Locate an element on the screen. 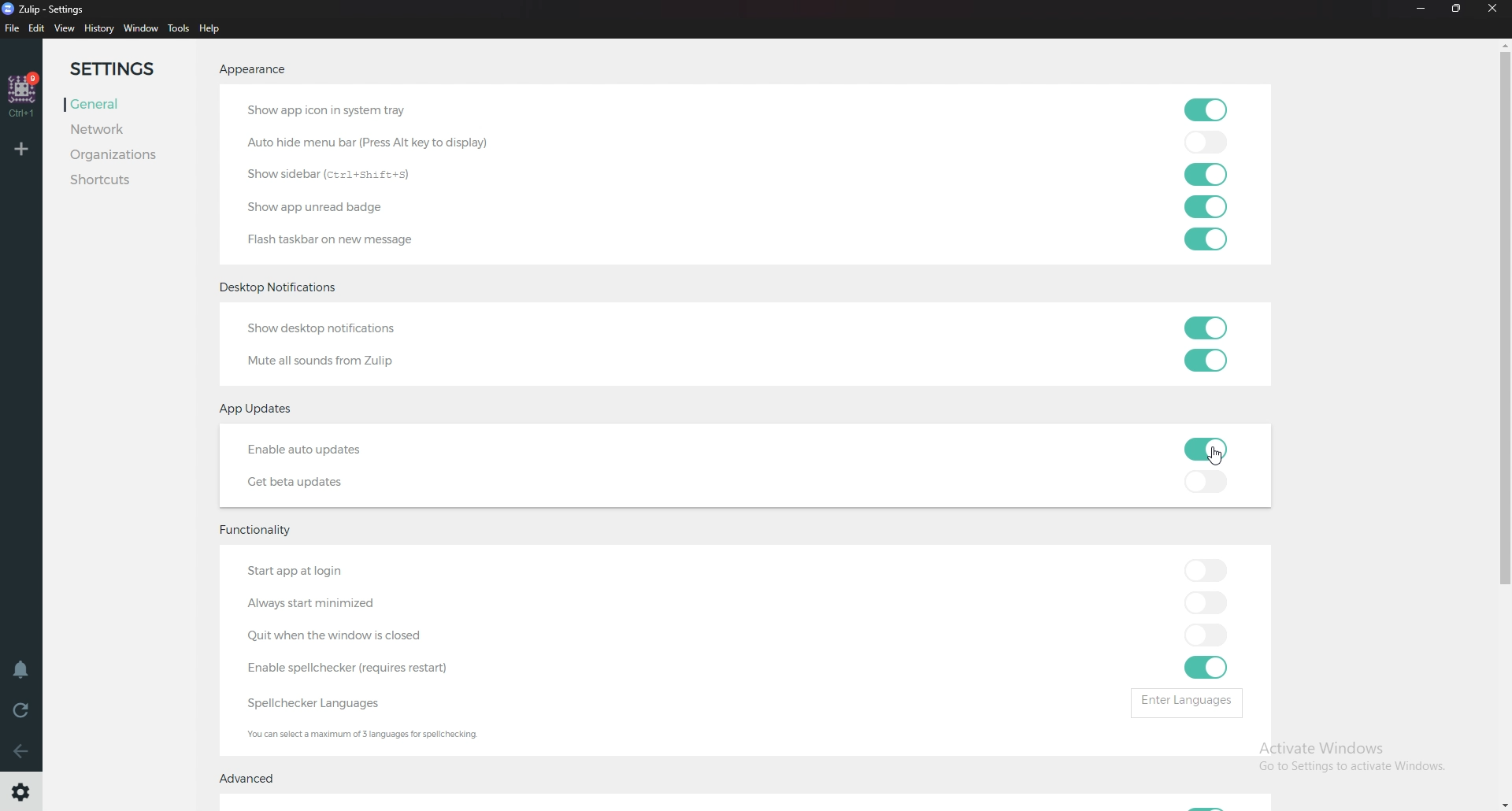 This screenshot has height=811, width=1512. toggle is located at coordinates (1203, 481).